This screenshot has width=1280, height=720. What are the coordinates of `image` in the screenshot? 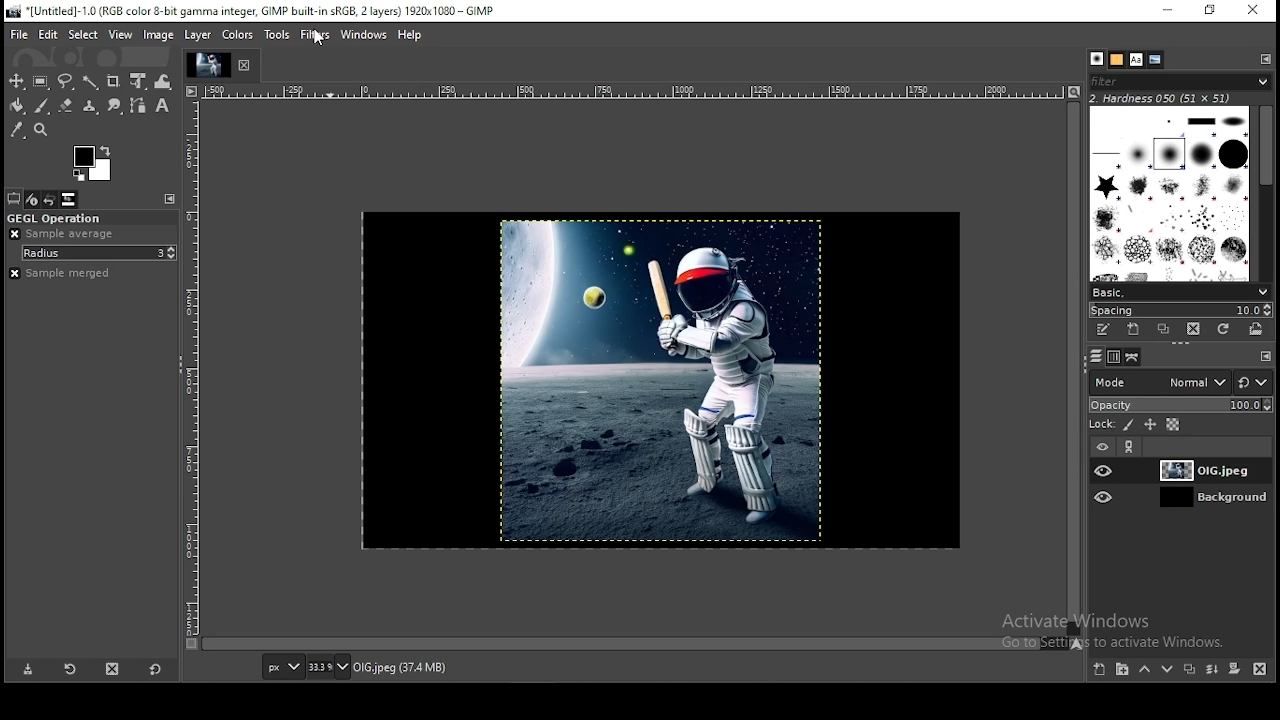 It's located at (158, 34).